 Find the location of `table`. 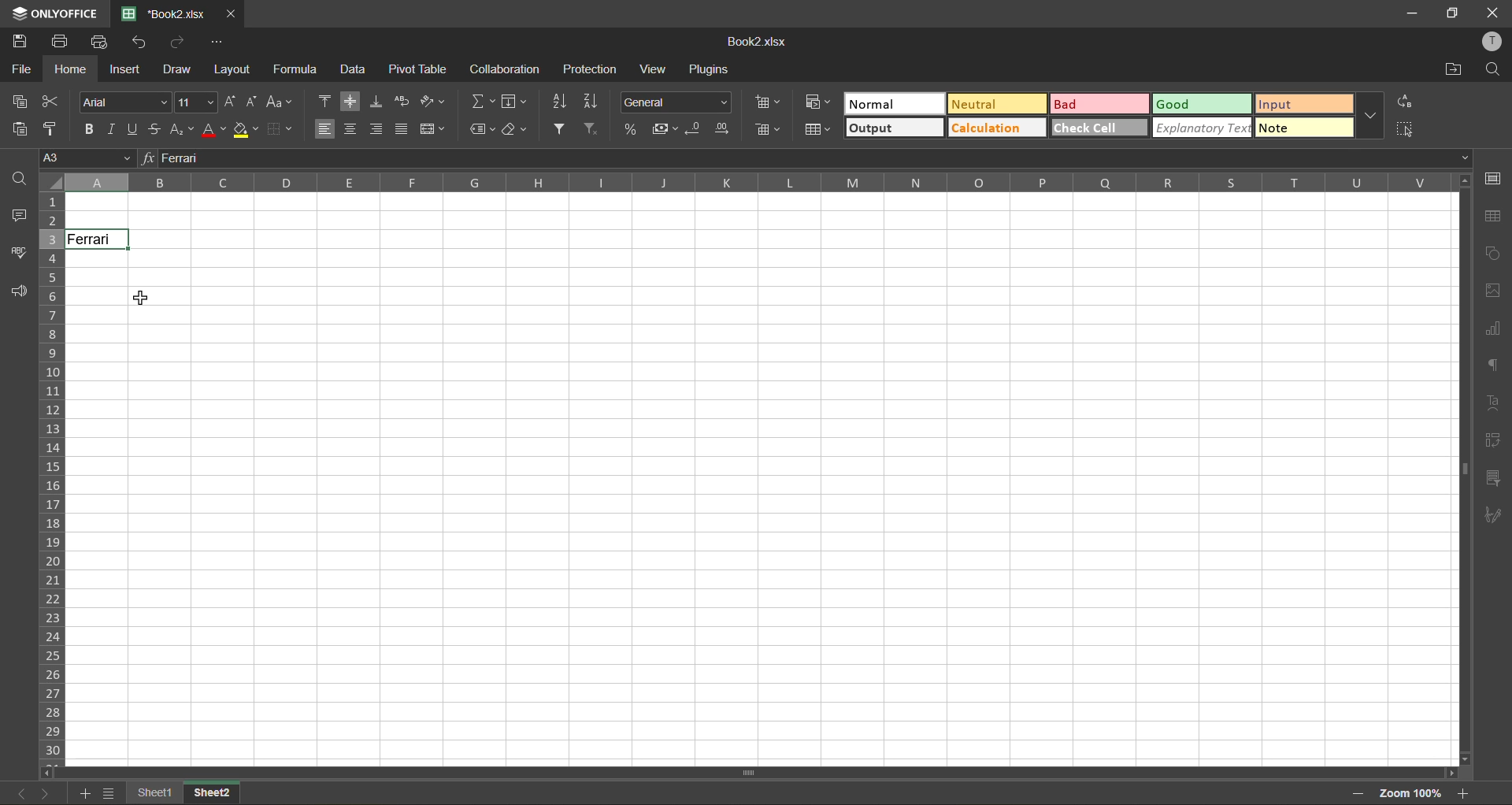

table is located at coordinates (1494, 218).